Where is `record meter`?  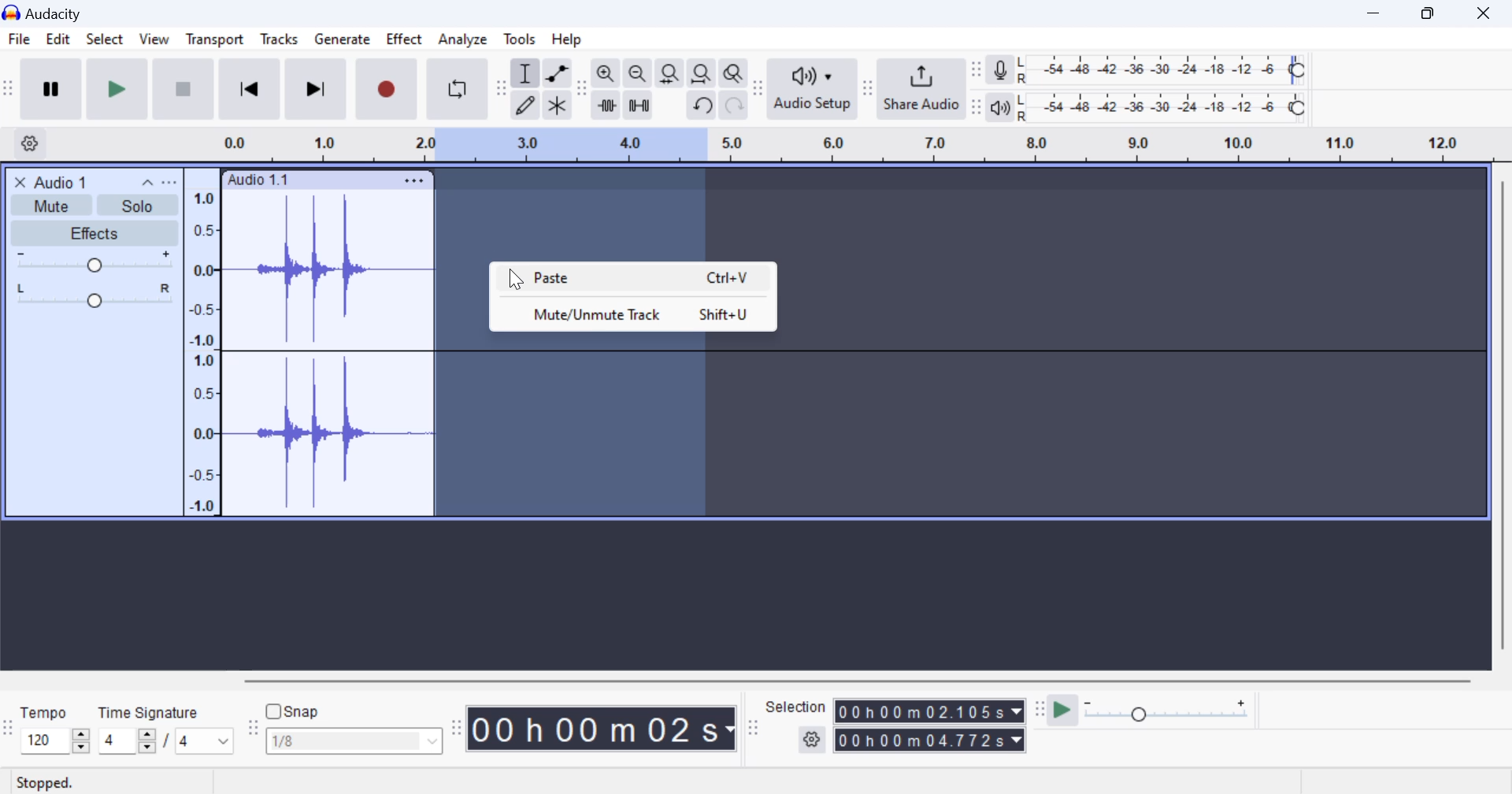
record meter is located at coordinates (1001, 72).